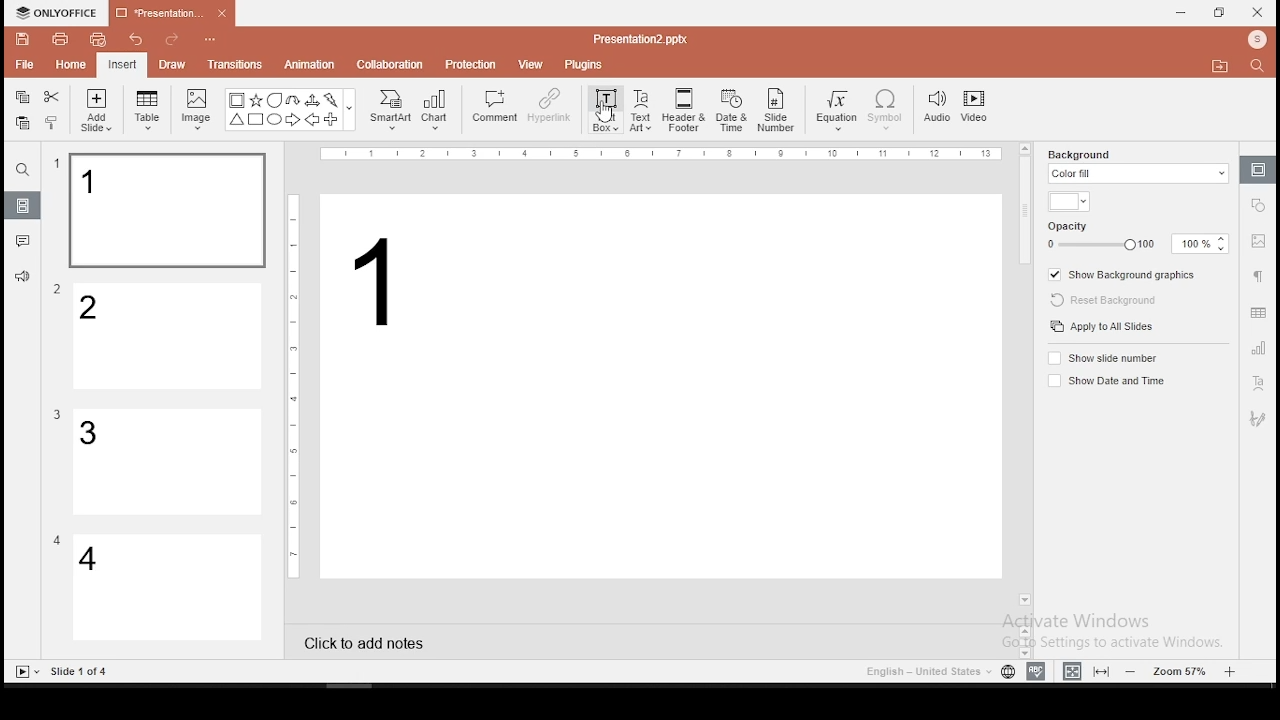 The height and width of the screenshot is (720, 1280). What do you see at coordinates (640, 38) in the screenshot?
I see `` at bounding box center [640, 38].